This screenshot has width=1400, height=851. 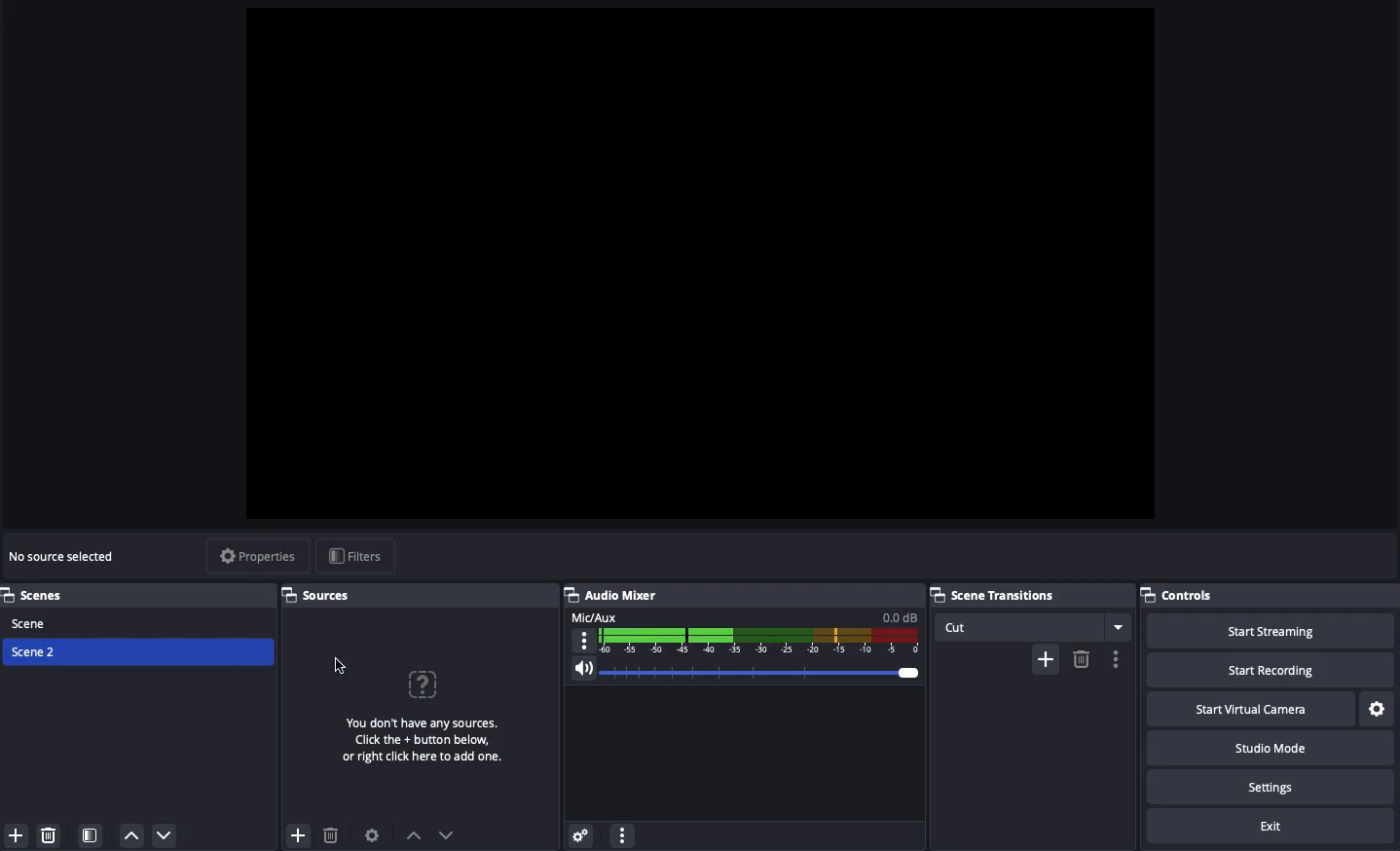 What do you see at coordinates (293, 833) in the screenshot?
I see `add` at bounding box center [293, 833].